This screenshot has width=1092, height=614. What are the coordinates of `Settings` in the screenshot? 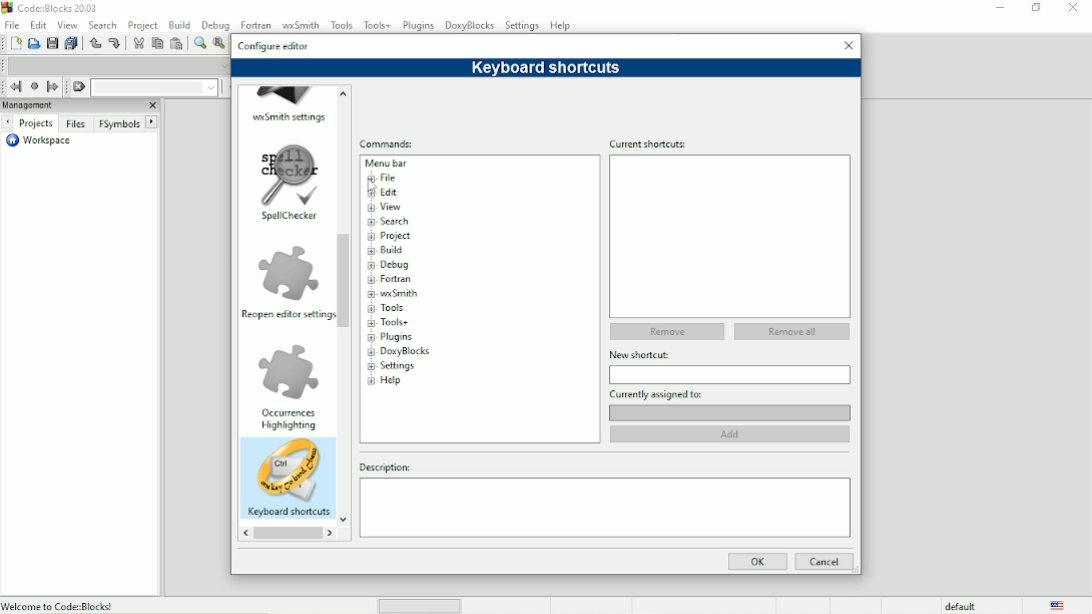 It's located at (401, 367).